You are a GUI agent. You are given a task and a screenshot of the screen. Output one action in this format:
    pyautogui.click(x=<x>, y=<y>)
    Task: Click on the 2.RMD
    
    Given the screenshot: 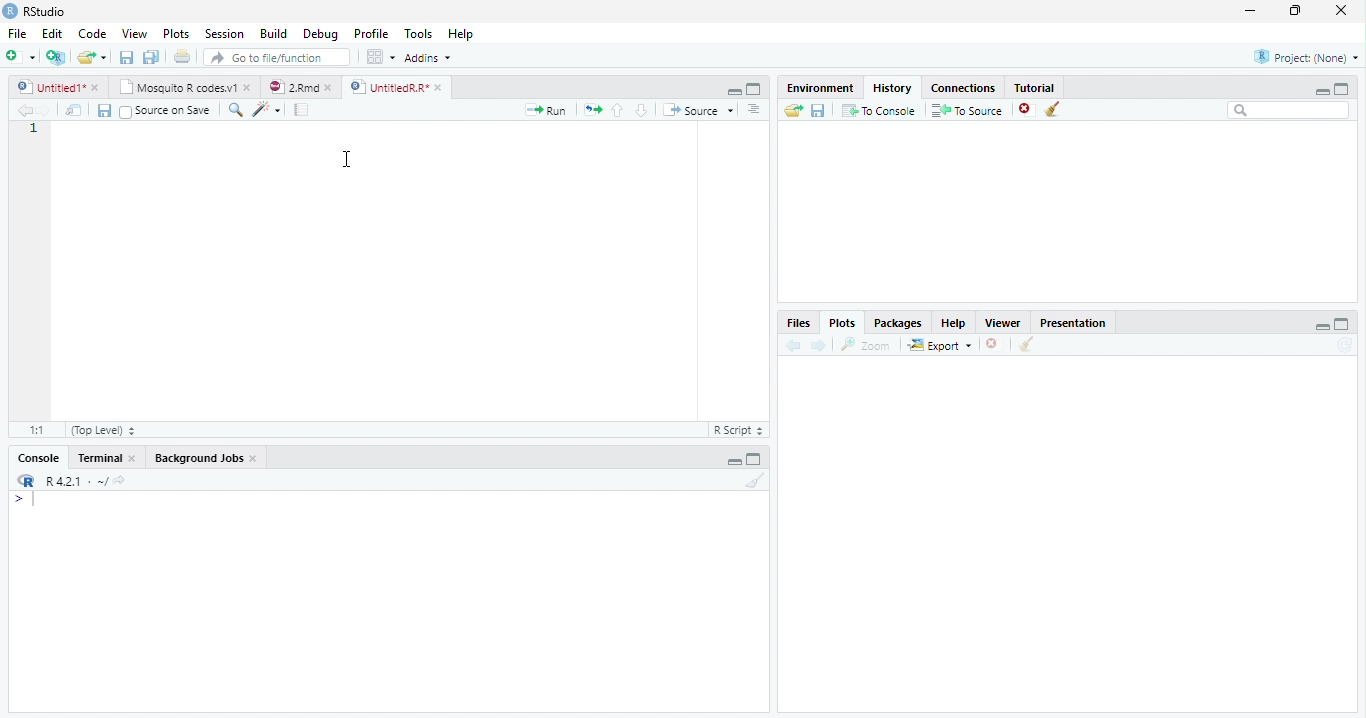 What is the action you would take?
    pyautogui.click(x=300, y=87)
    